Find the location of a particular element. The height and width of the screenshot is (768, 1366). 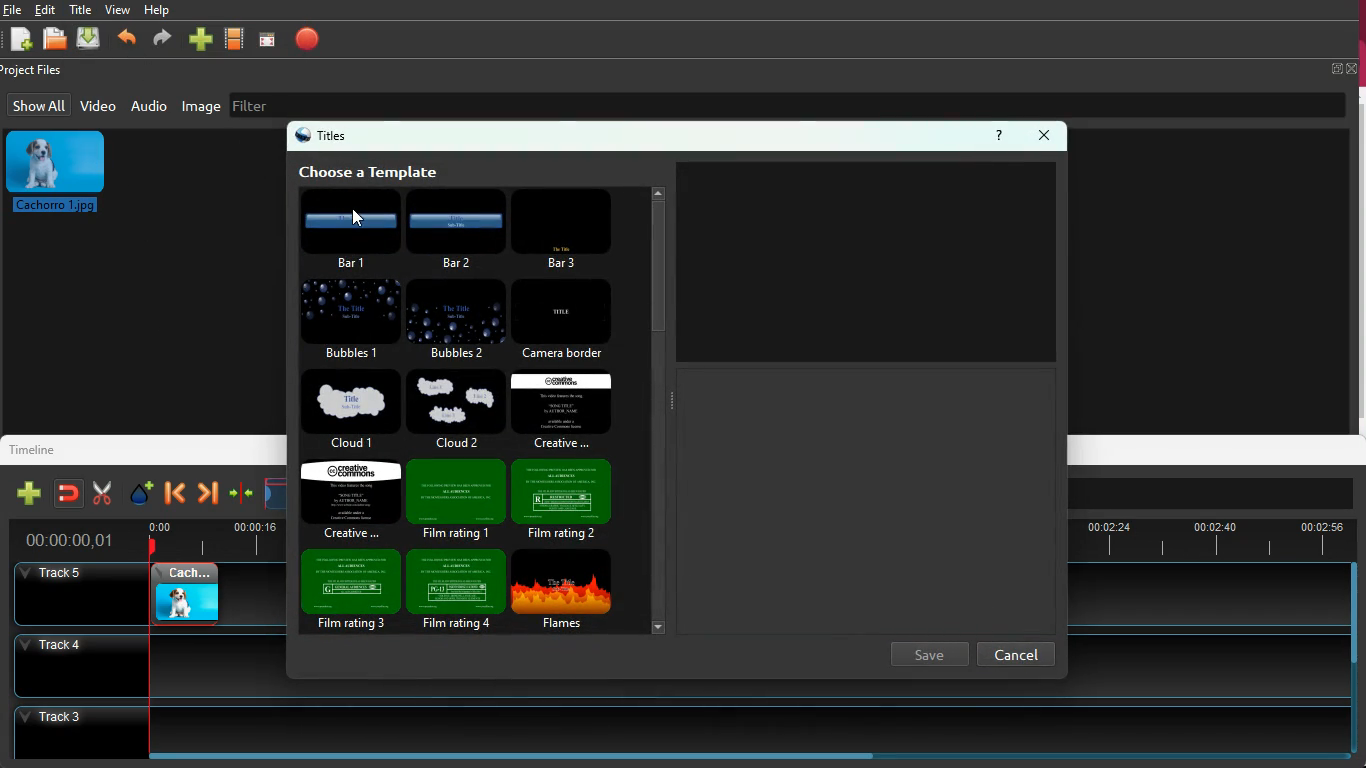

back is located at coordinates (126, 41).